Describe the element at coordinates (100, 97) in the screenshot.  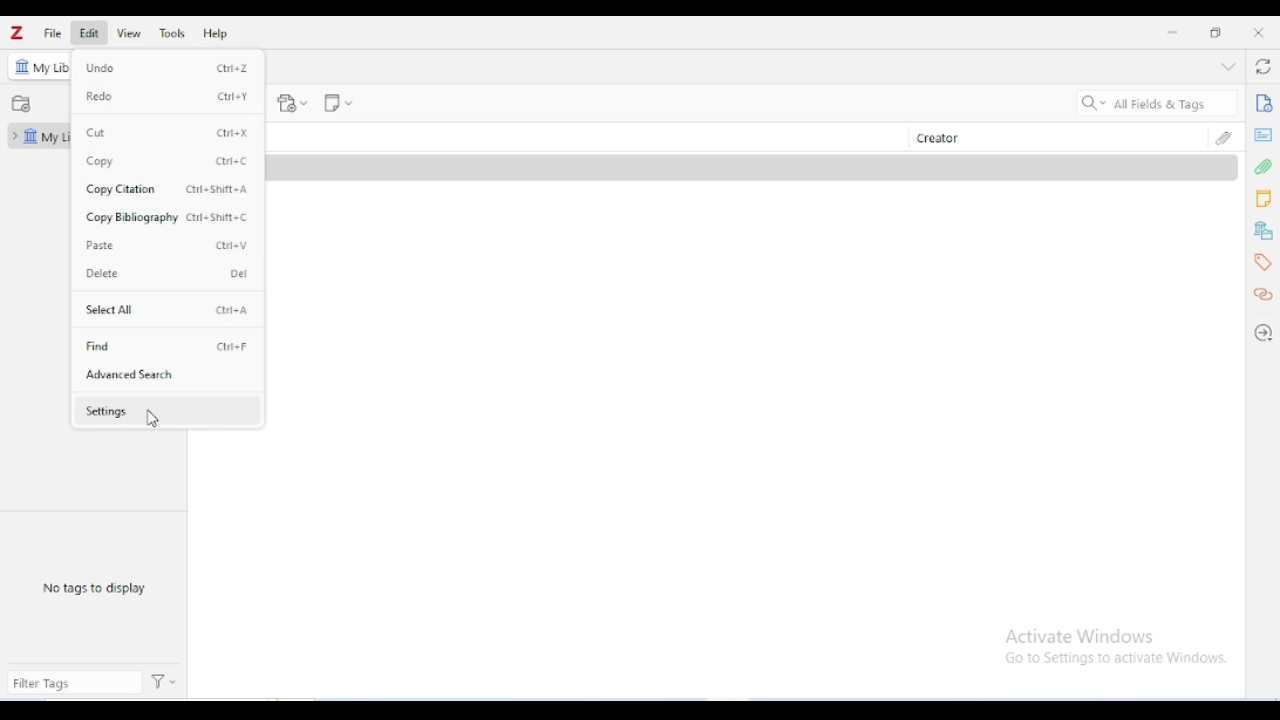
I see `redo` at that location.